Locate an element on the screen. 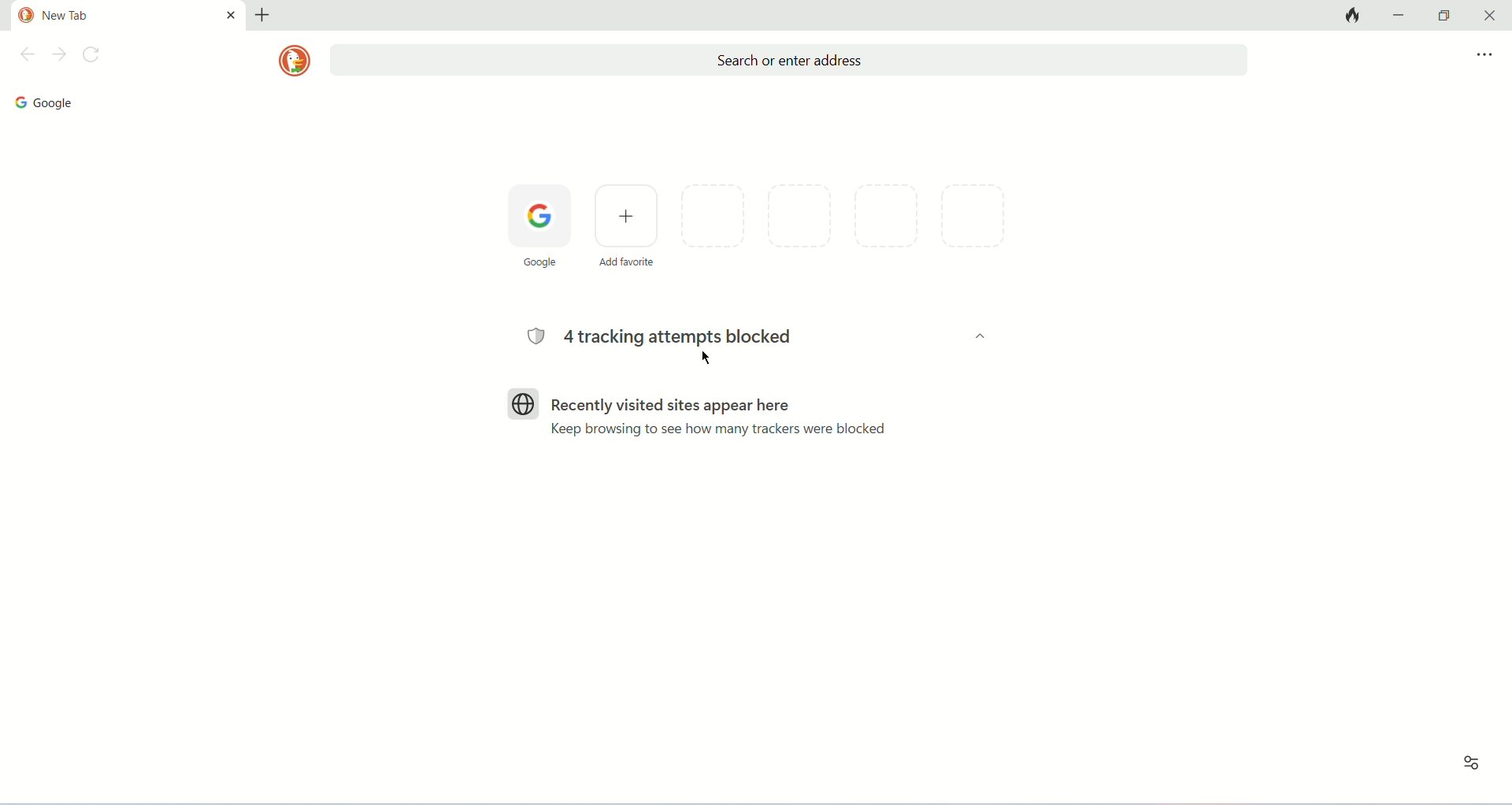 This screenshot has height=805, width=1512. new tab is located at coordinates (262, 15).